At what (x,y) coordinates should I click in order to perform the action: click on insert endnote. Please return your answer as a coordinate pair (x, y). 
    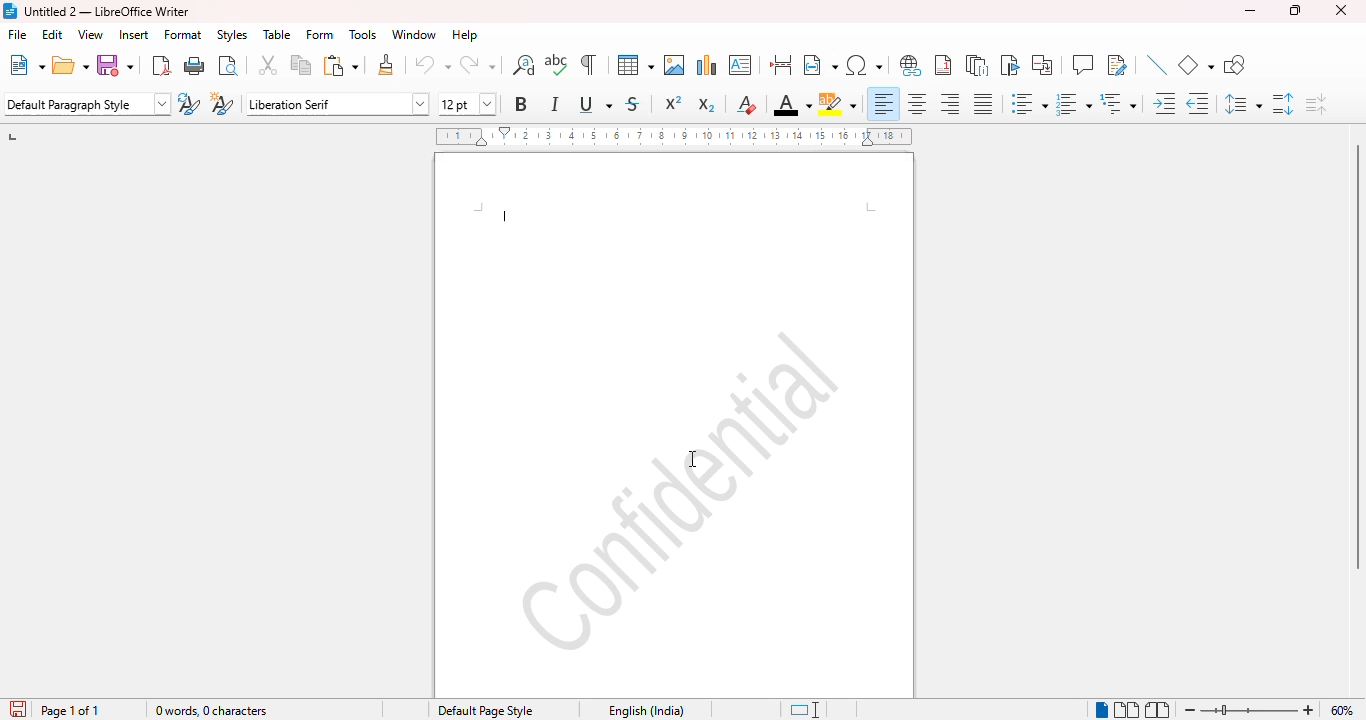
    Looking at the image, I should click on (977, 65).